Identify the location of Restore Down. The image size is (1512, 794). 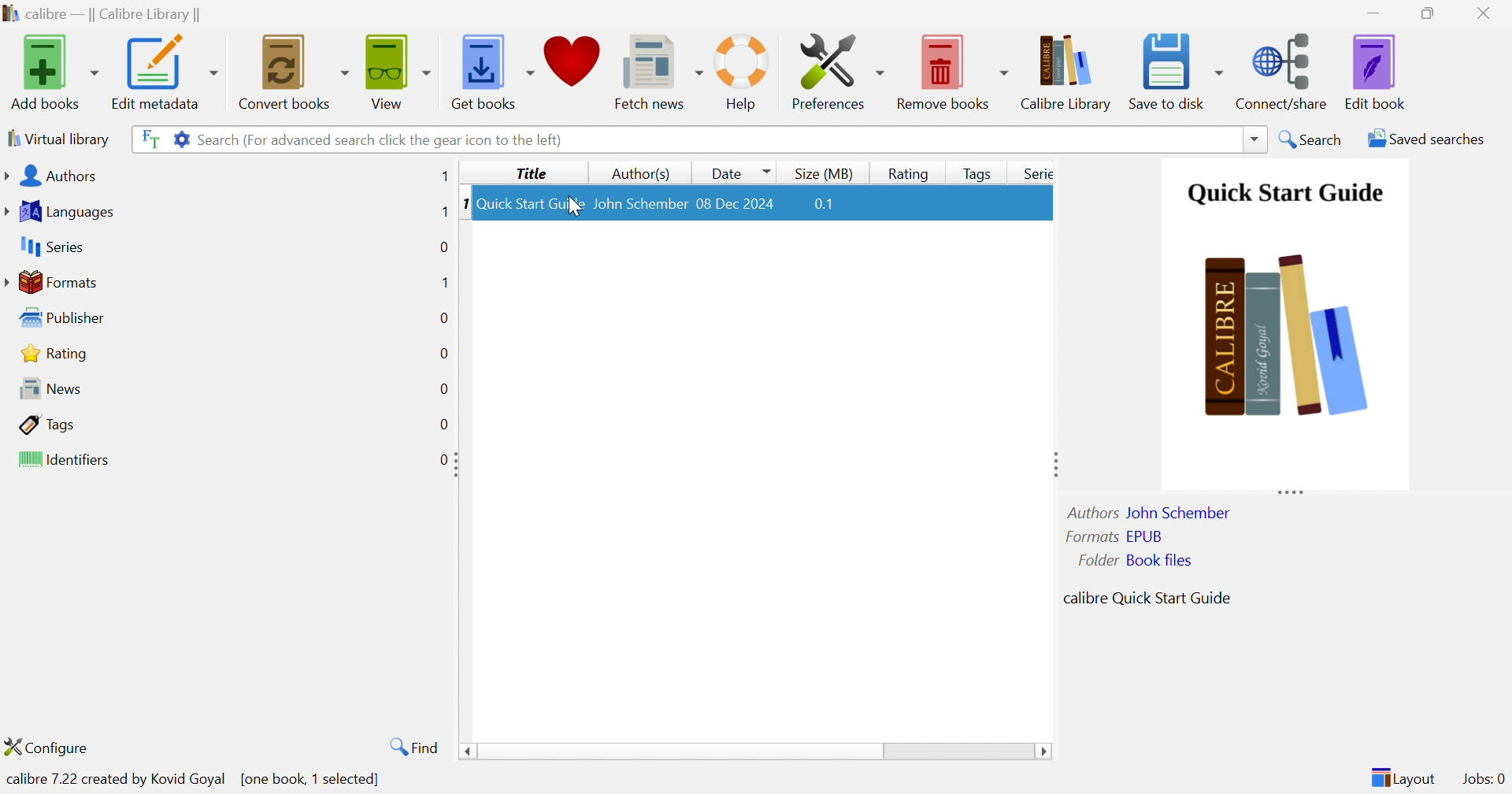
(1429, 12).